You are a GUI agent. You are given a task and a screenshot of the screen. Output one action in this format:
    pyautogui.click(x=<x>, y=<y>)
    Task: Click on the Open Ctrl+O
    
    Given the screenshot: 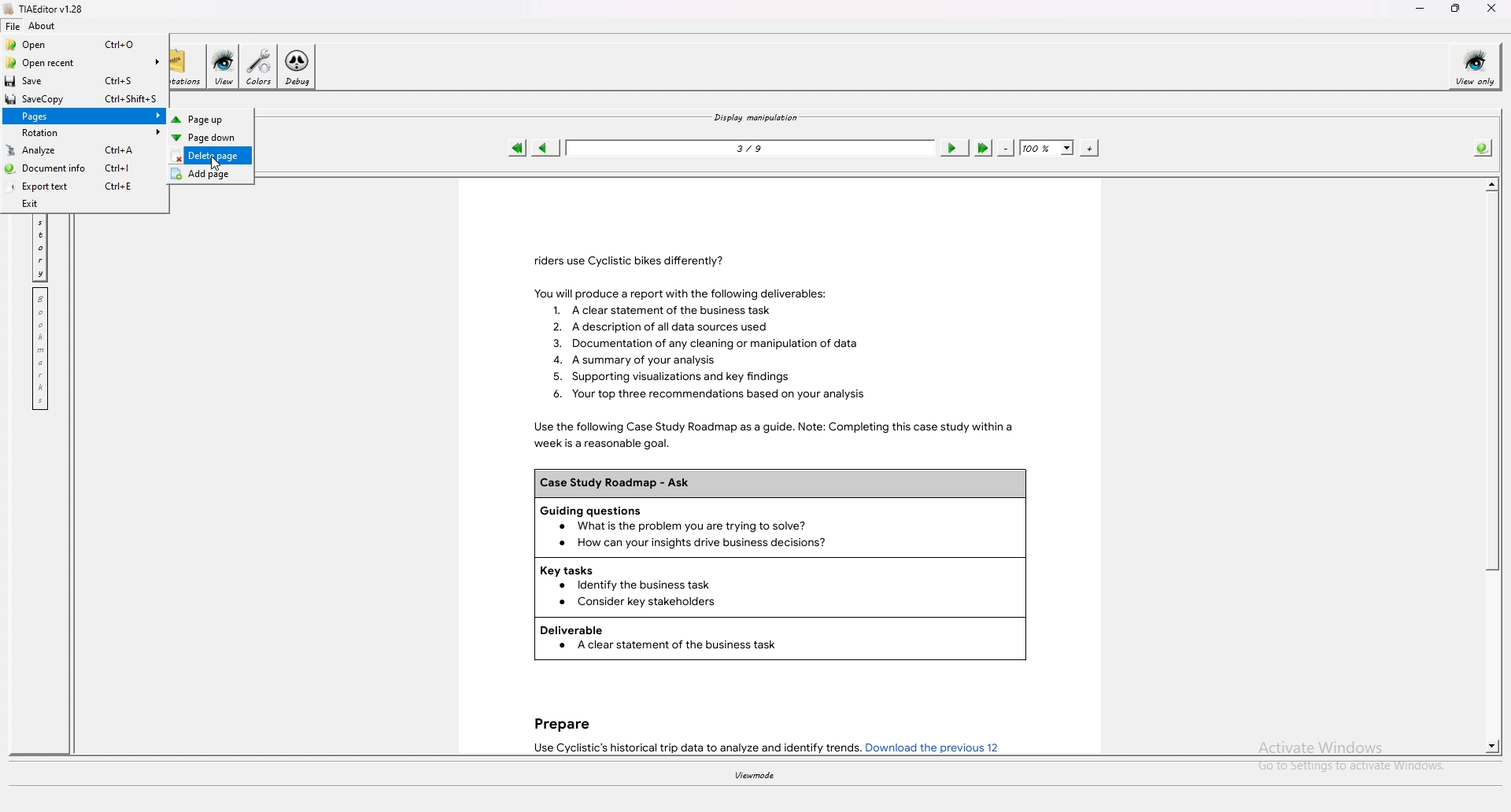 What is the action you would take?
    pyautogui.click(x=83, y=43)
    